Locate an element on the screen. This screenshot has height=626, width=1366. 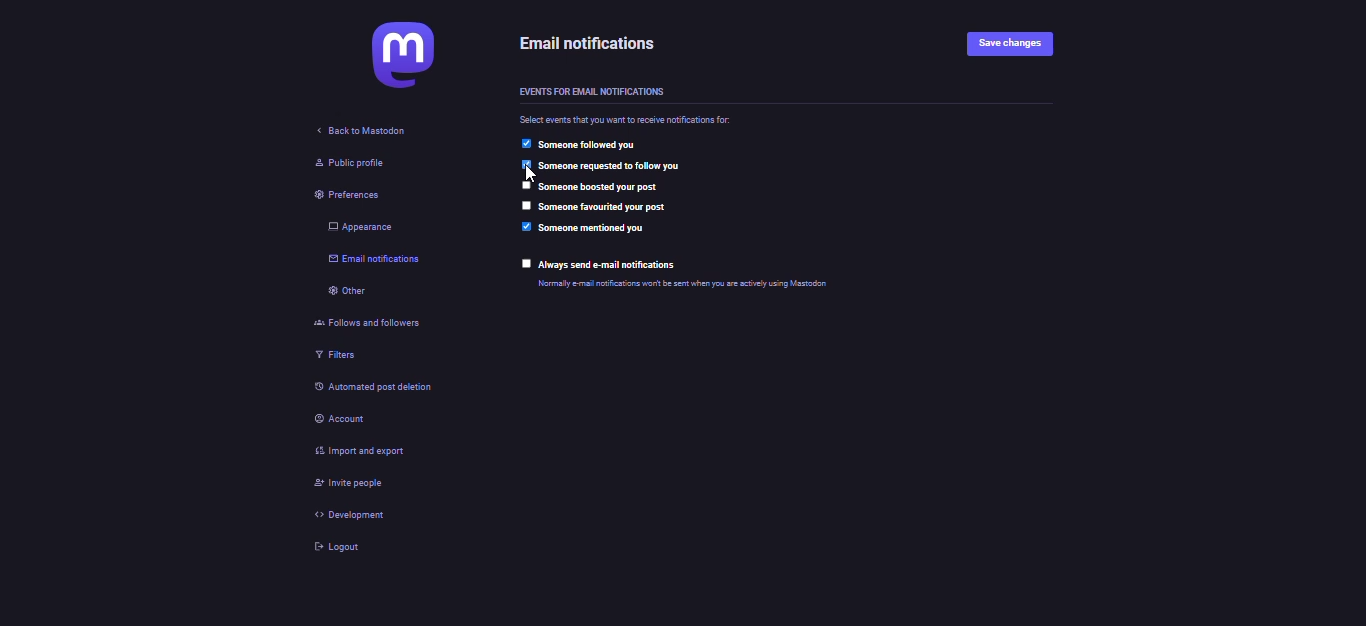
automated post deletion is located at coordinates (376, 390).